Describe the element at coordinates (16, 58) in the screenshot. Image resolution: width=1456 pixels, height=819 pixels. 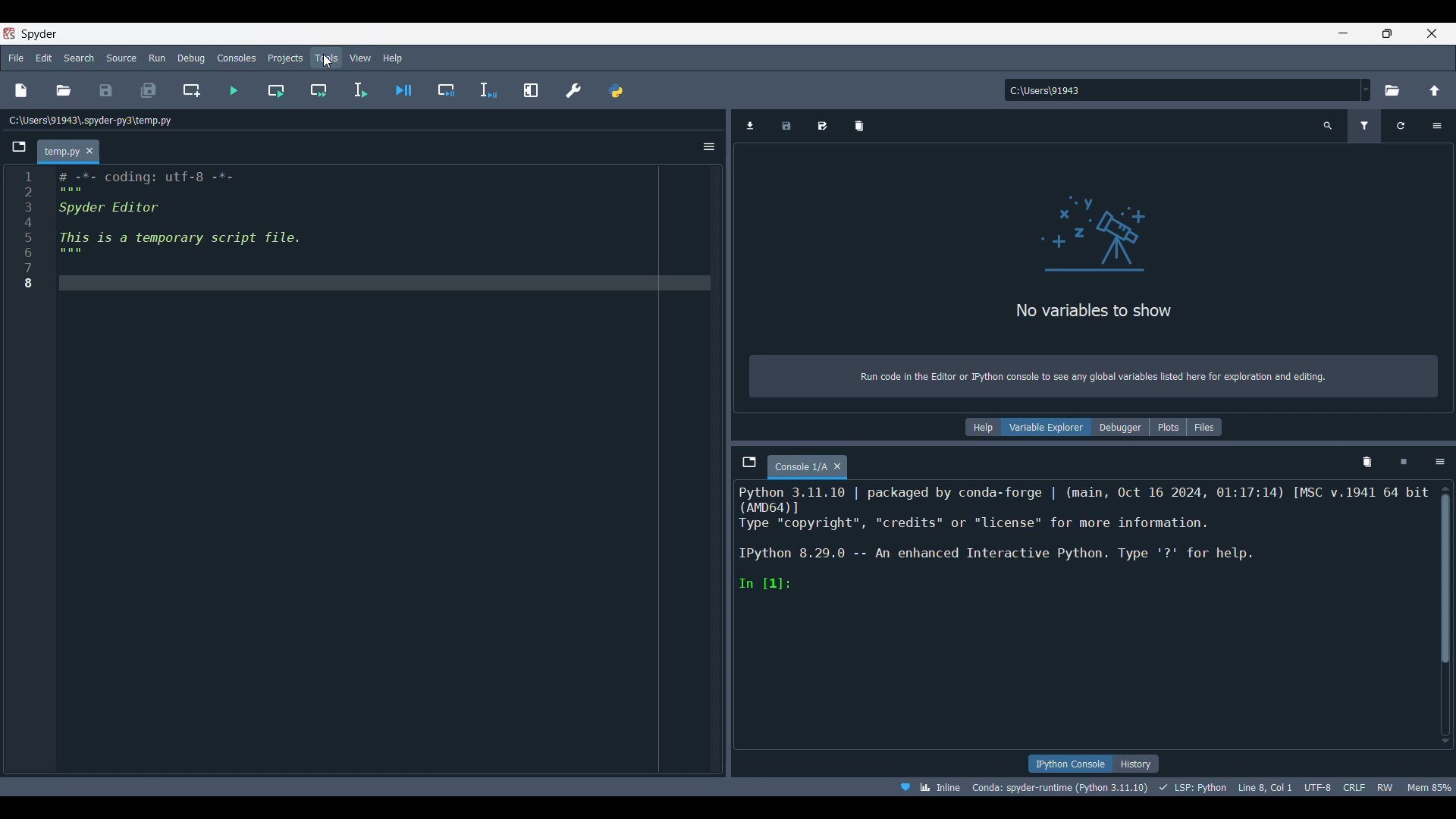
I see `File menu` at that location.